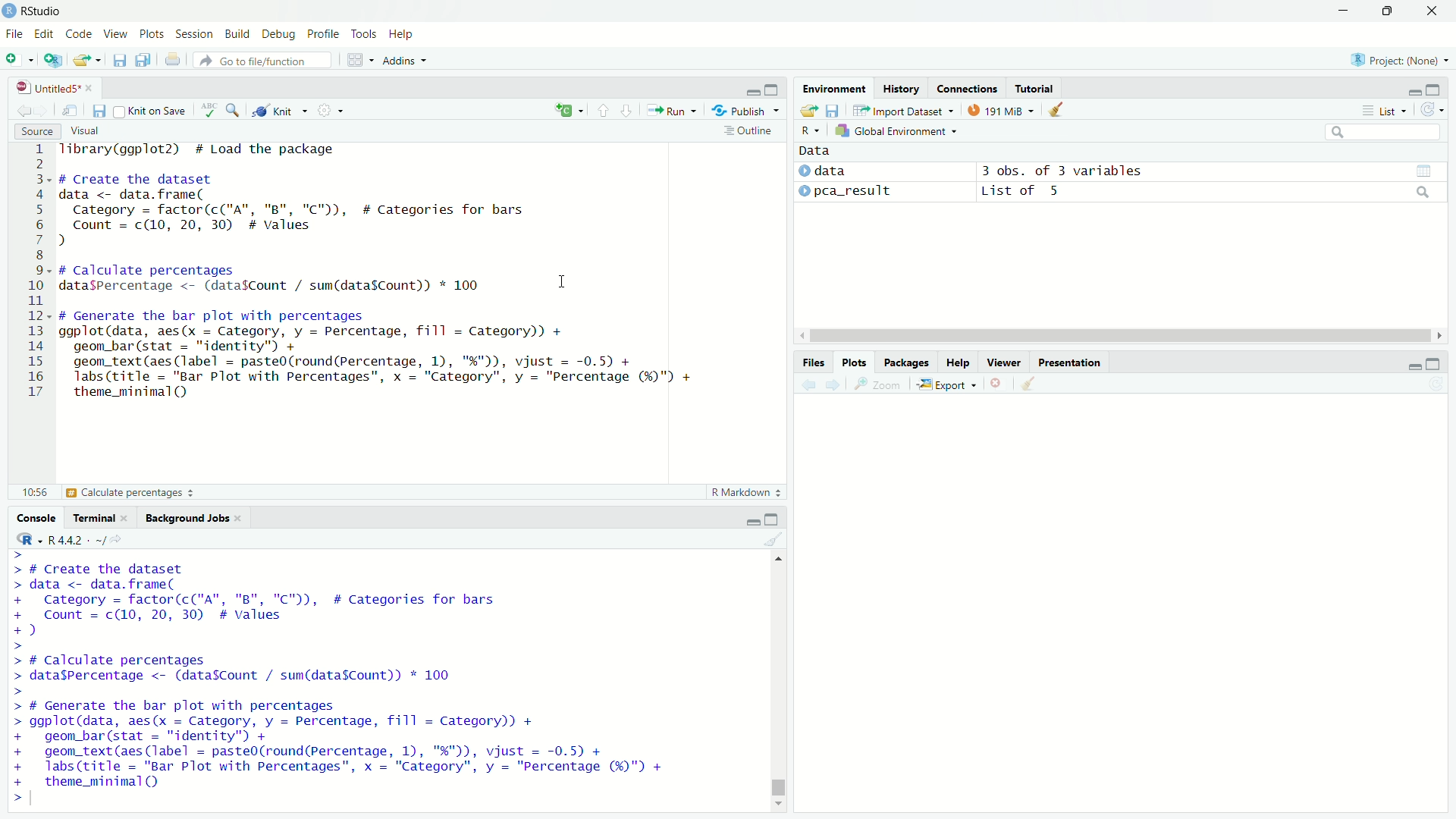 This screenshot has width=1456, height=819. What do you see at coordinates (153, 35) in the screenshot?
I see `plots` at bounding box center [153, 35].